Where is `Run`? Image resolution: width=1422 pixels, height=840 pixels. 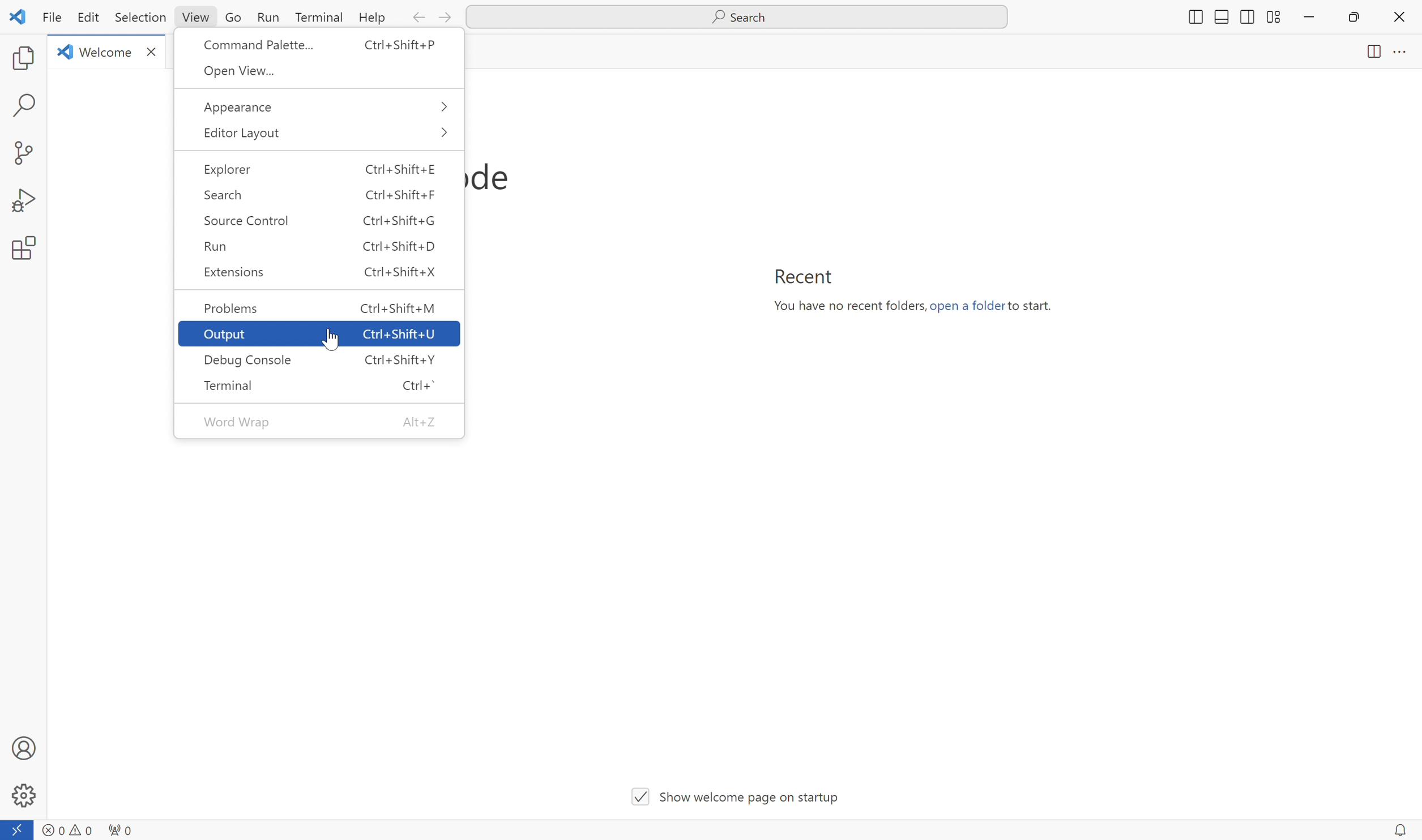 Run is located at coordinates (269, 17).